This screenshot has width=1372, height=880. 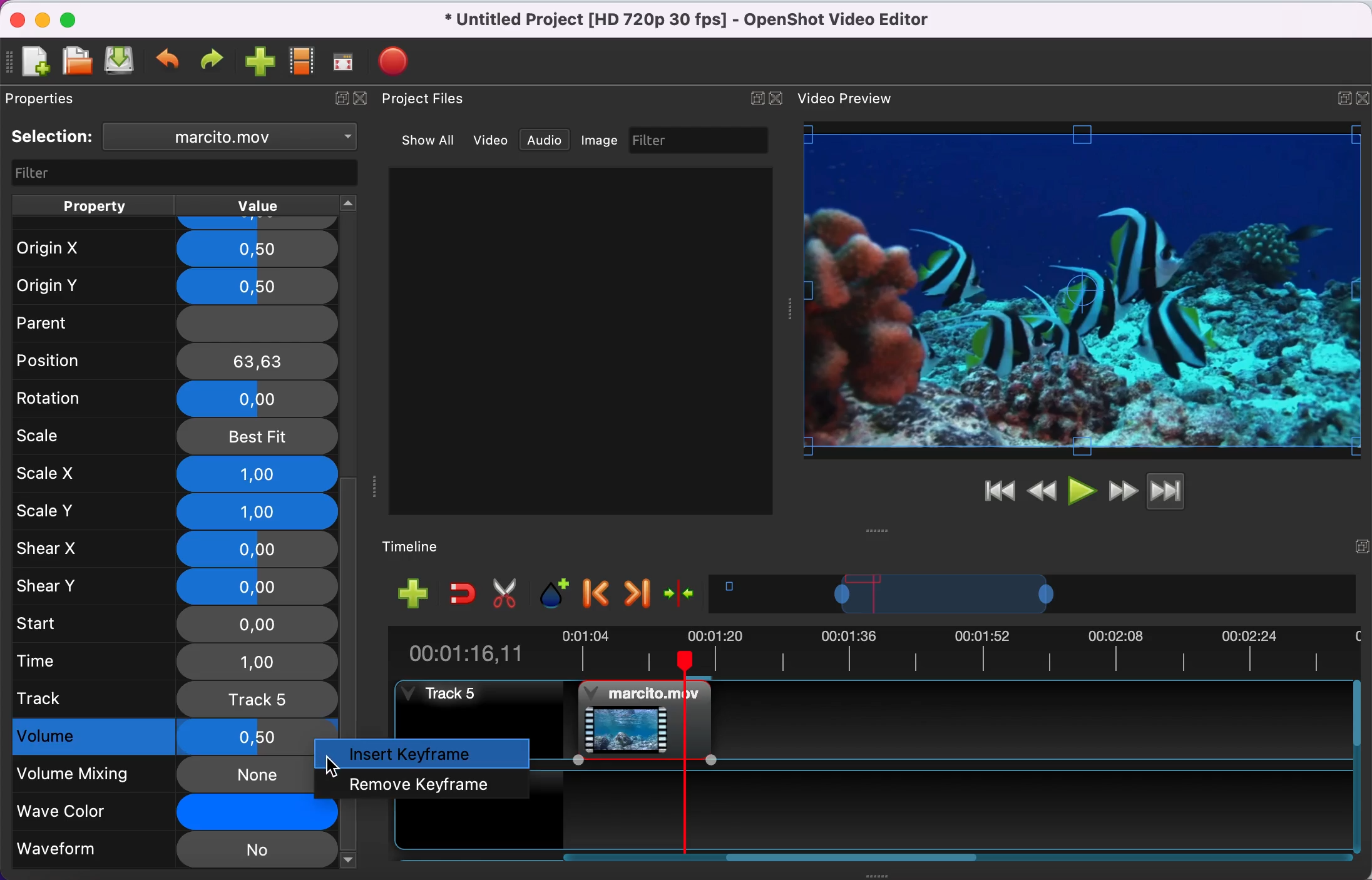 I want to click on expand/hide, so click(x=1363, y=95).